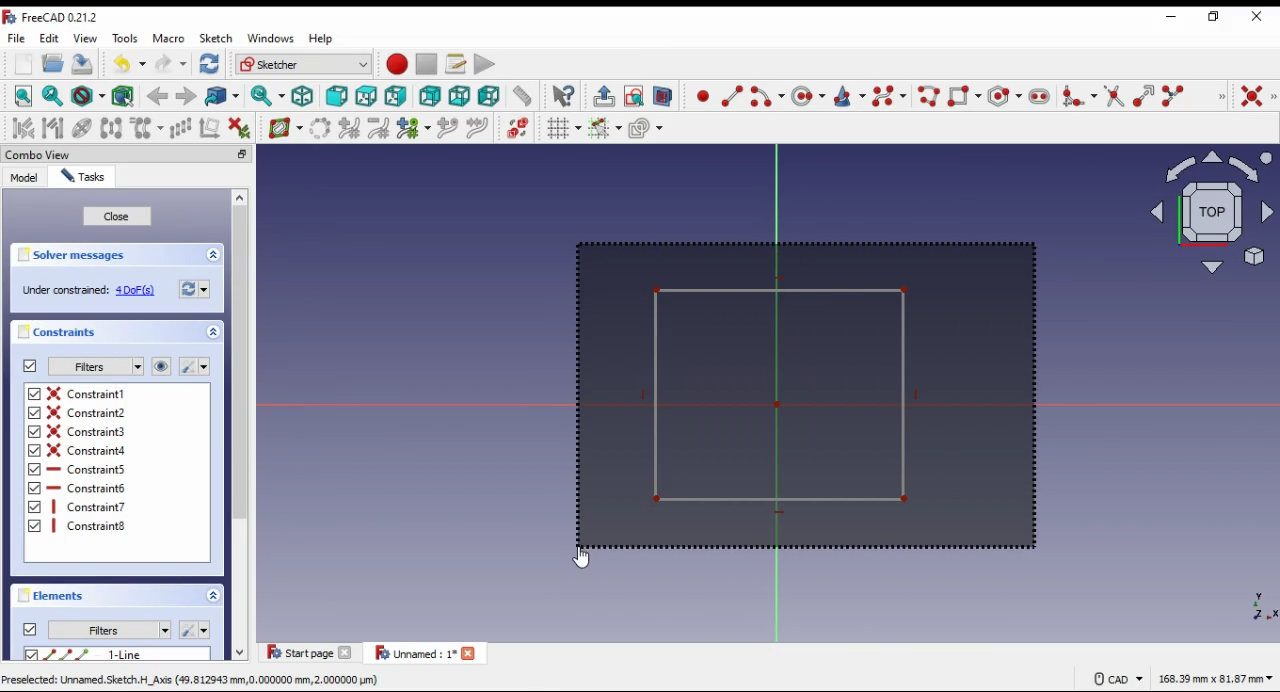 The width and height of the screenshot is (1280, 692). I want to click on select associated geometry, so click(125, 95).